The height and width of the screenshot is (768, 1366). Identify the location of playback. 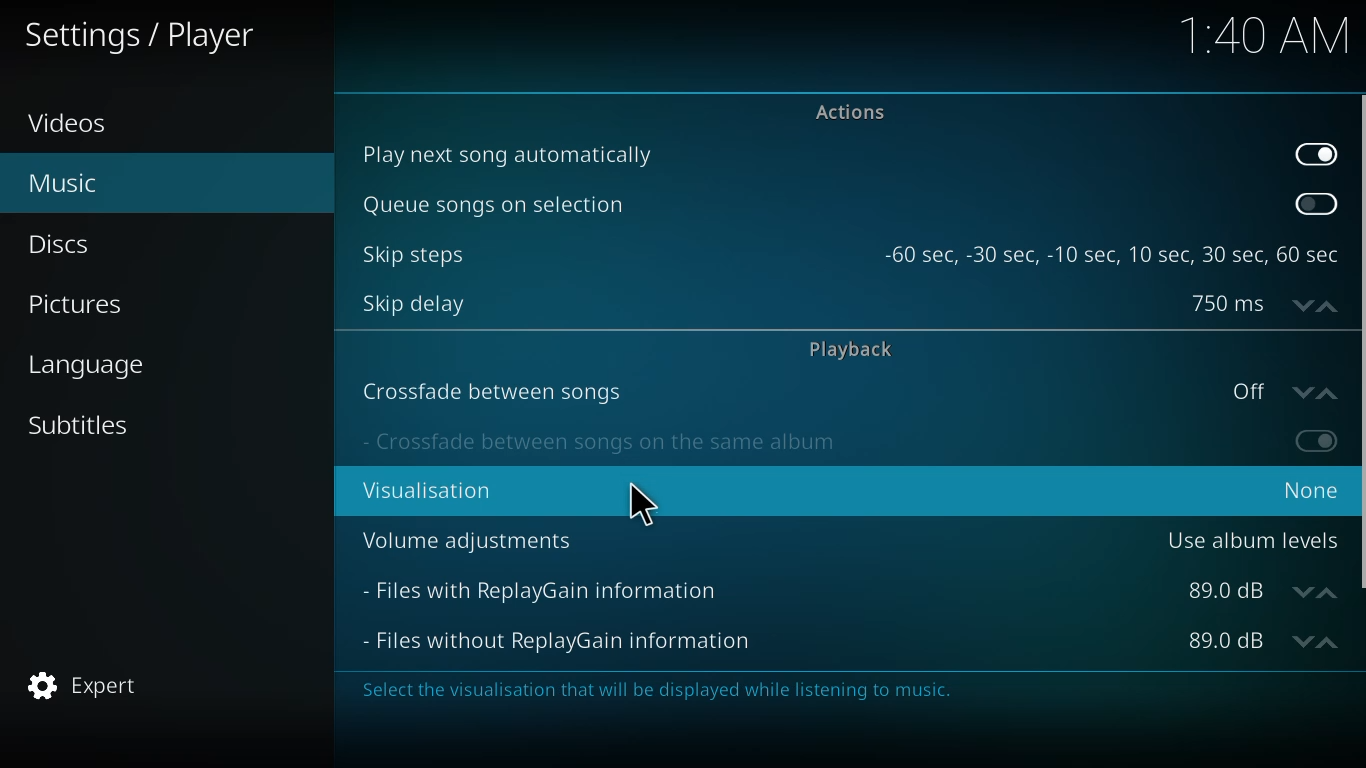
(851, 346).